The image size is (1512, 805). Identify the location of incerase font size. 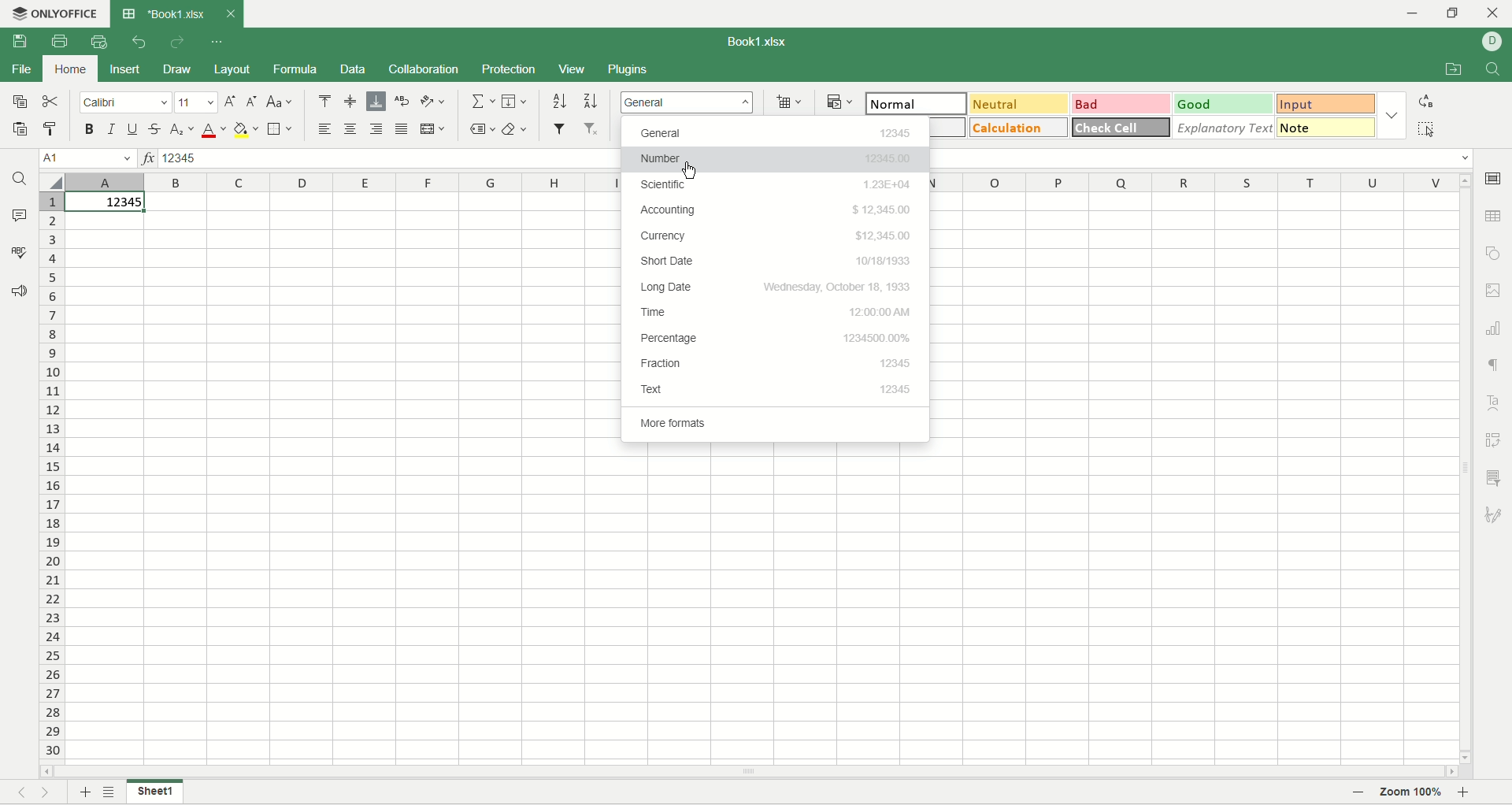
(229, 102).